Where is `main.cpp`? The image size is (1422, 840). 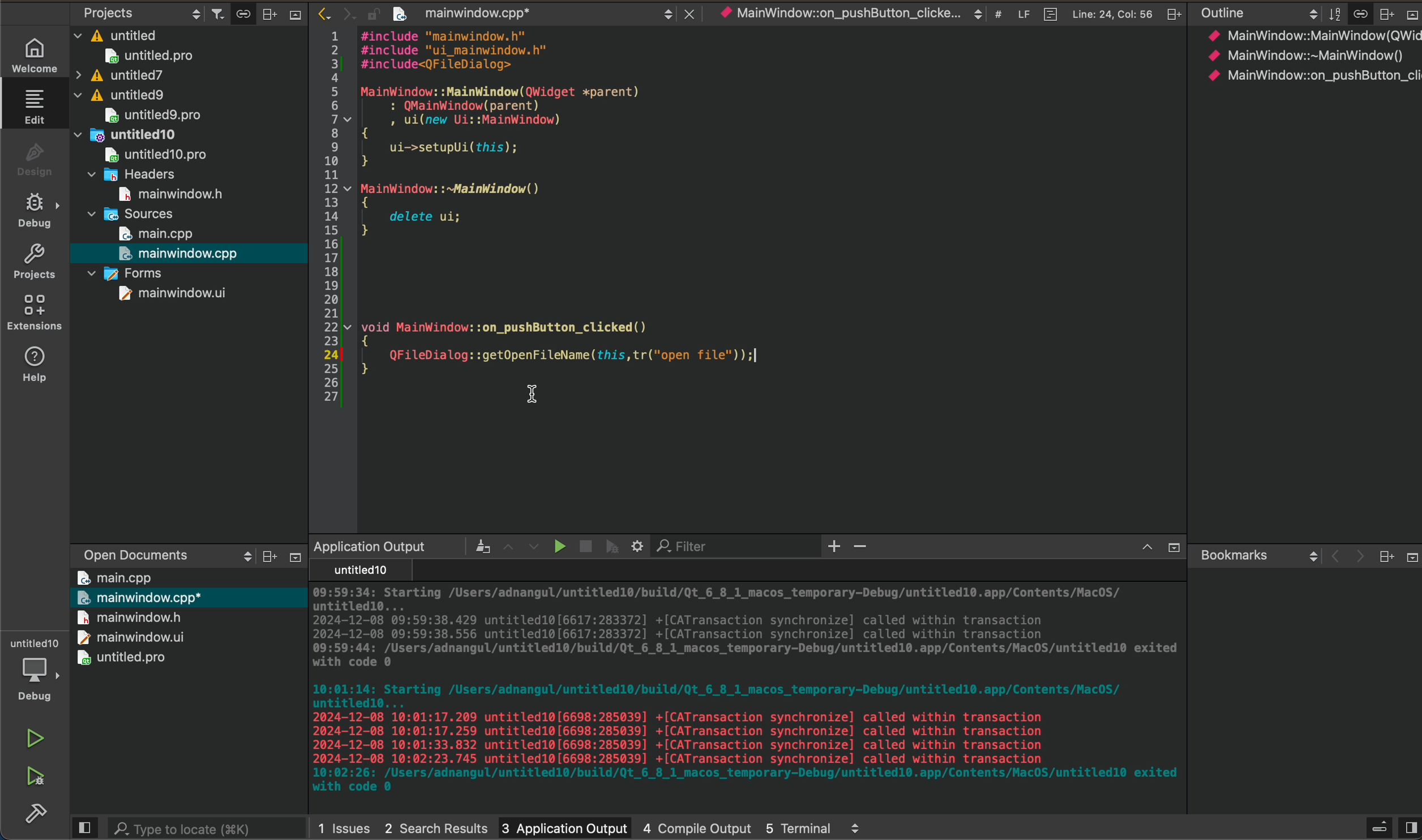
main.cpp is located at coordinates (115, 577).